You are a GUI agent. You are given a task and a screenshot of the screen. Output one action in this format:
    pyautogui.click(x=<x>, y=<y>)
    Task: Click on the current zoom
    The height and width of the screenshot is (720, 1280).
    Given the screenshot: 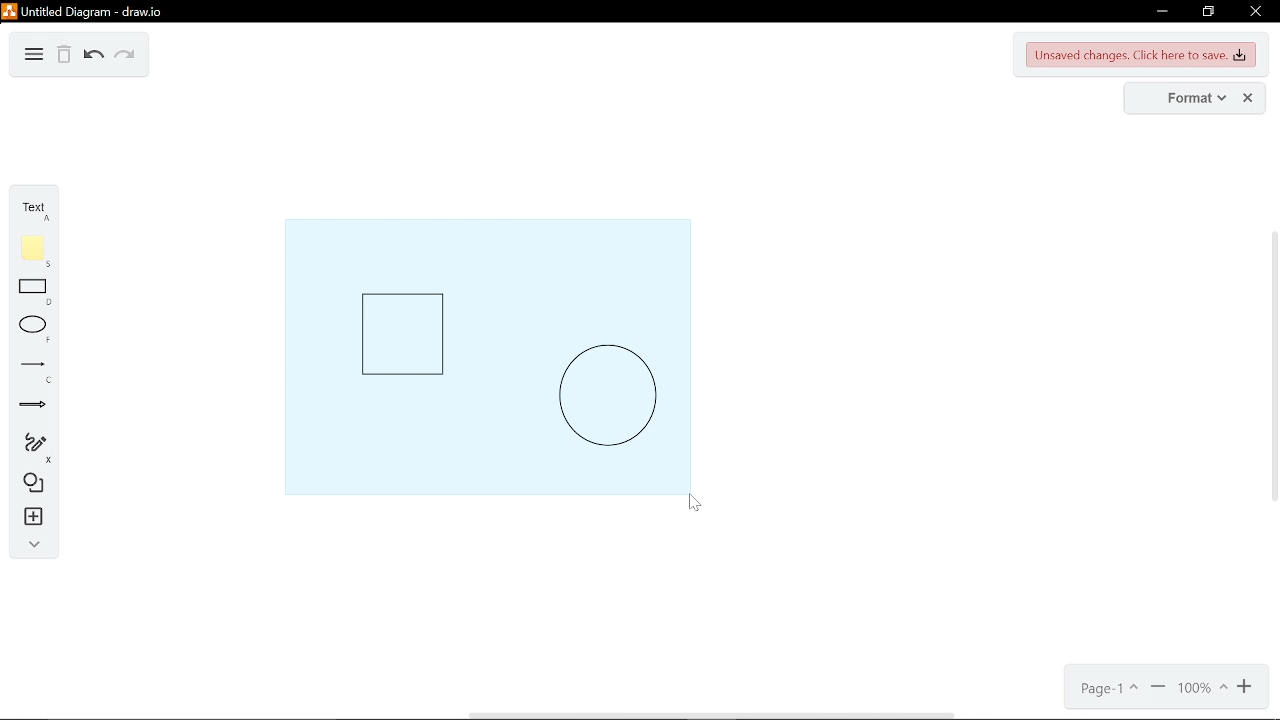 What is the action you would take?
    pyautogui.click(x=1202, y=690)
    